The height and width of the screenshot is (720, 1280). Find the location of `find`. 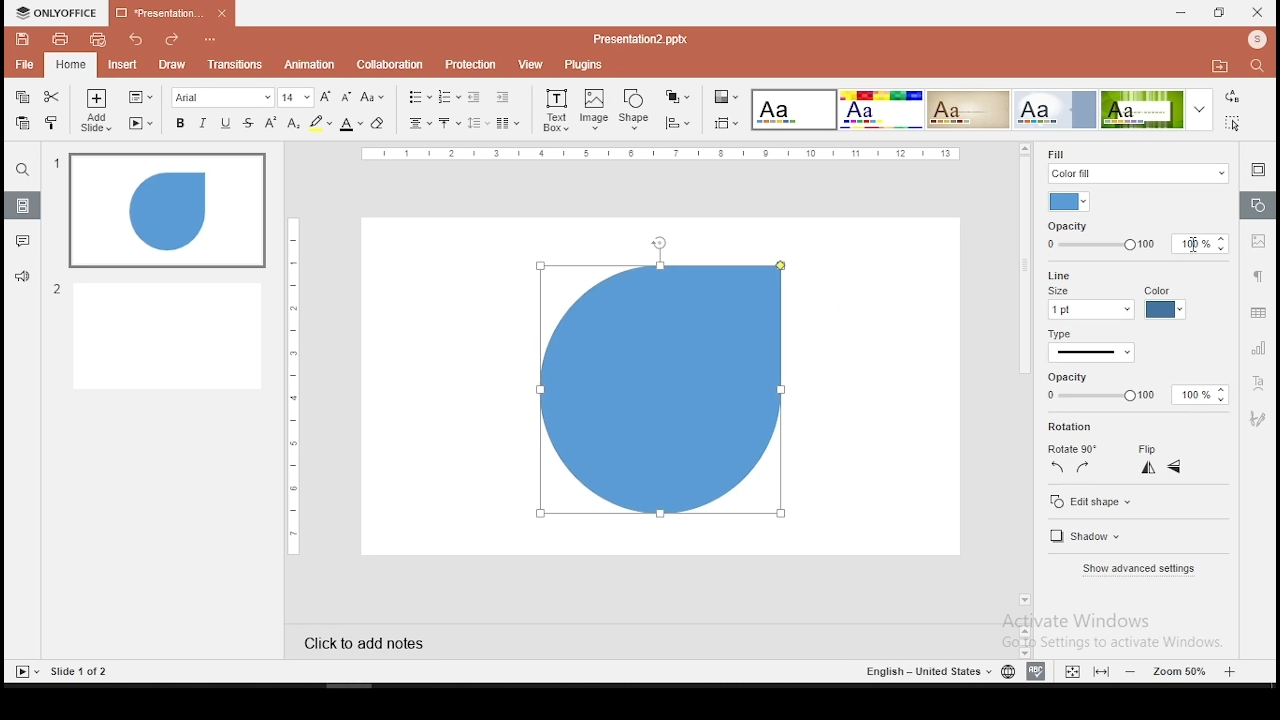

find is located at coordinates (22, 172).